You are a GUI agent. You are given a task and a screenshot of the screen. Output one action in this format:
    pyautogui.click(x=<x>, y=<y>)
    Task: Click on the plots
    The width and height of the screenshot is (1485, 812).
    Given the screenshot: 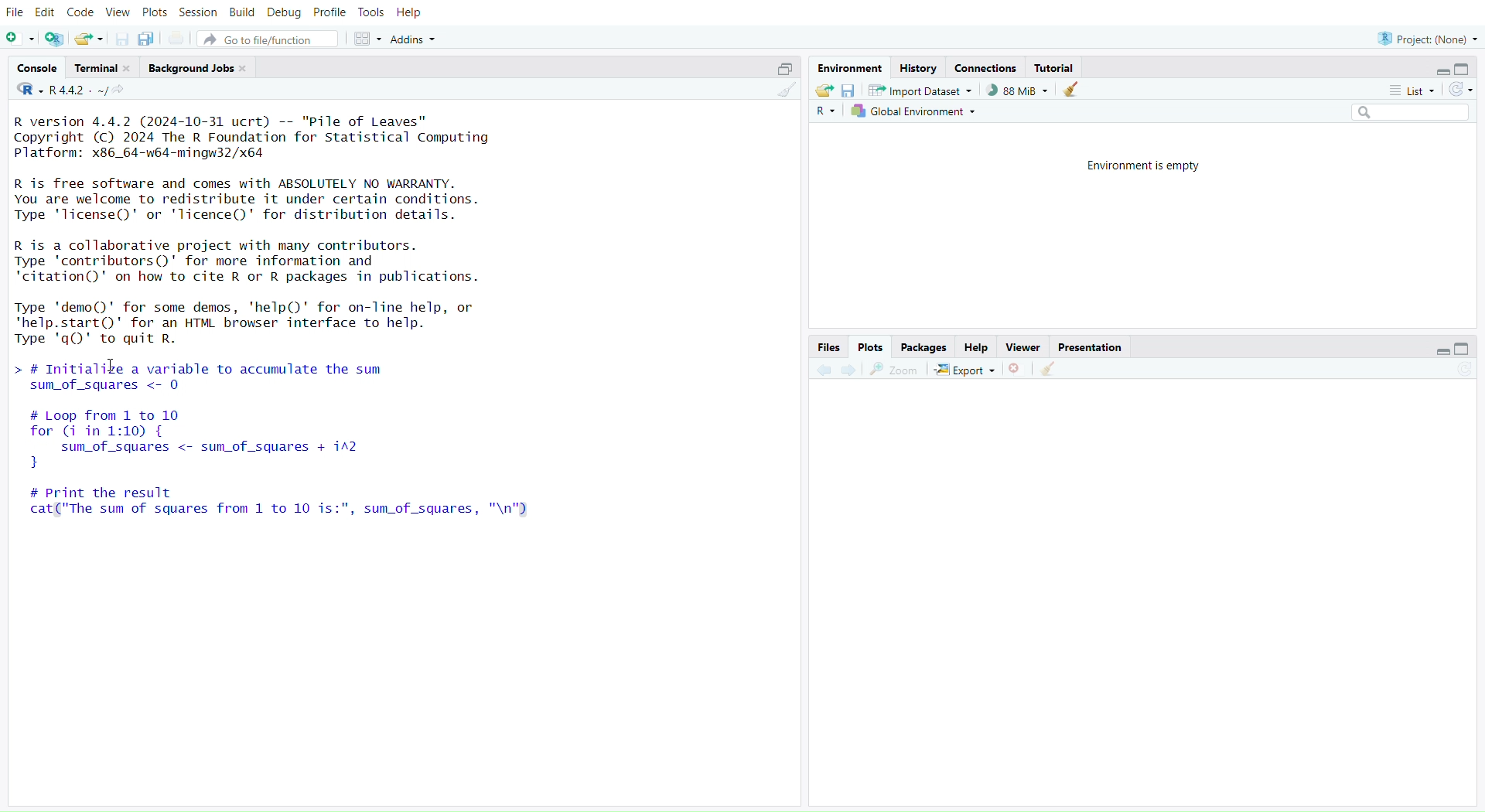 What is the action you would take?
    pyautogui.click(x=873, y=346)
    